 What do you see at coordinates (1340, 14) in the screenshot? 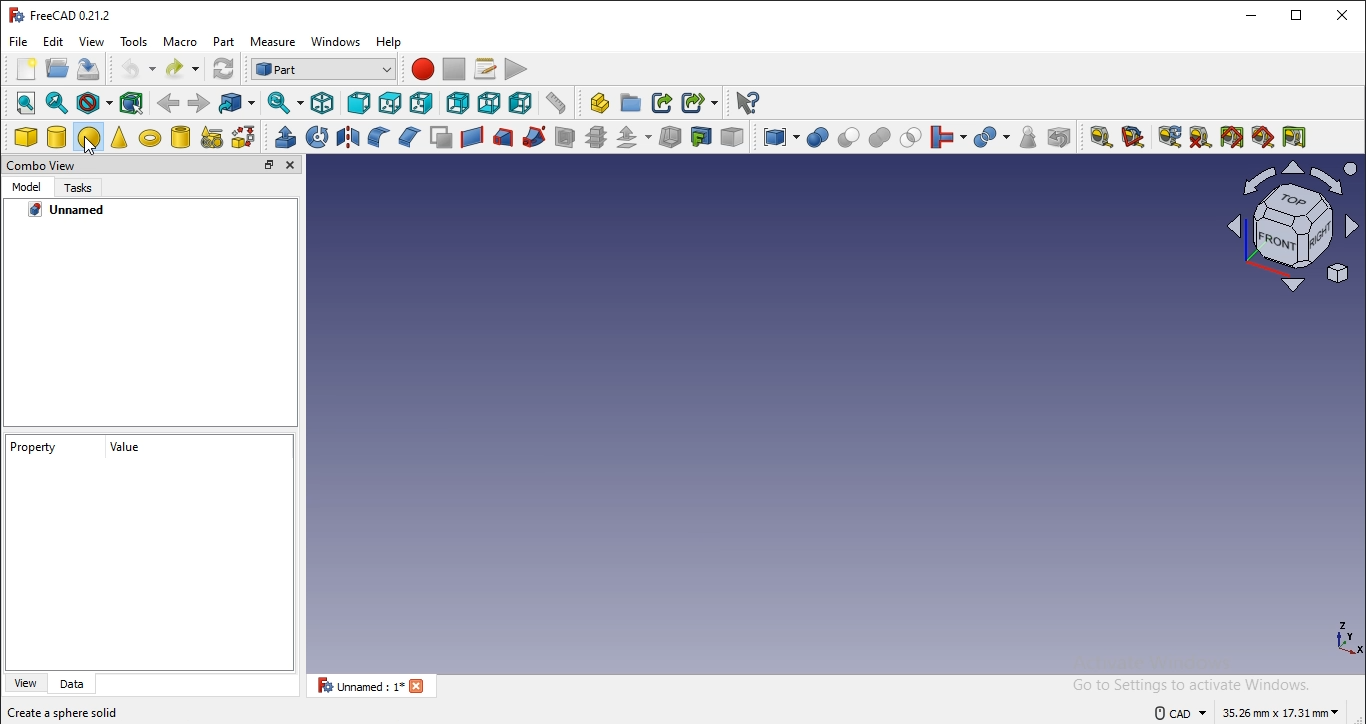
I see `close` at bounding box center [1340, 14].